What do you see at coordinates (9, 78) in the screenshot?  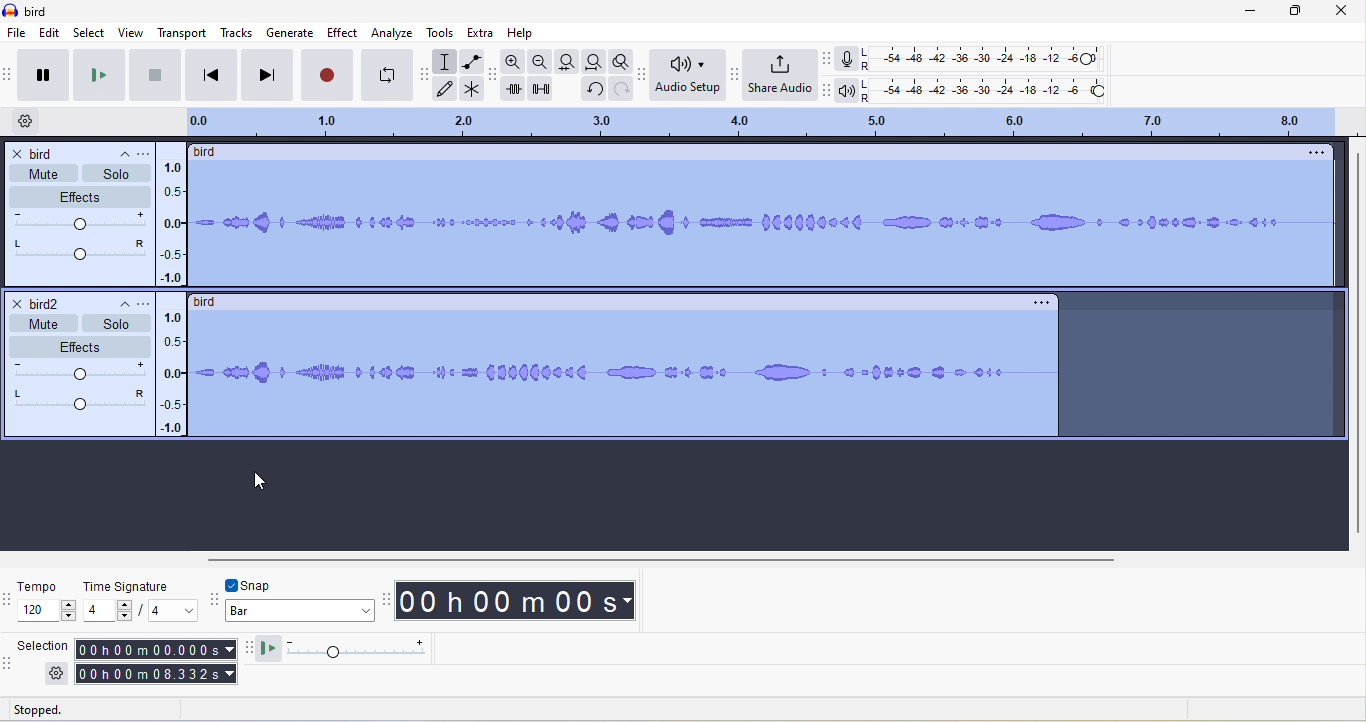 I see `audacity transport toolbar` at bounding box center [9, 78].